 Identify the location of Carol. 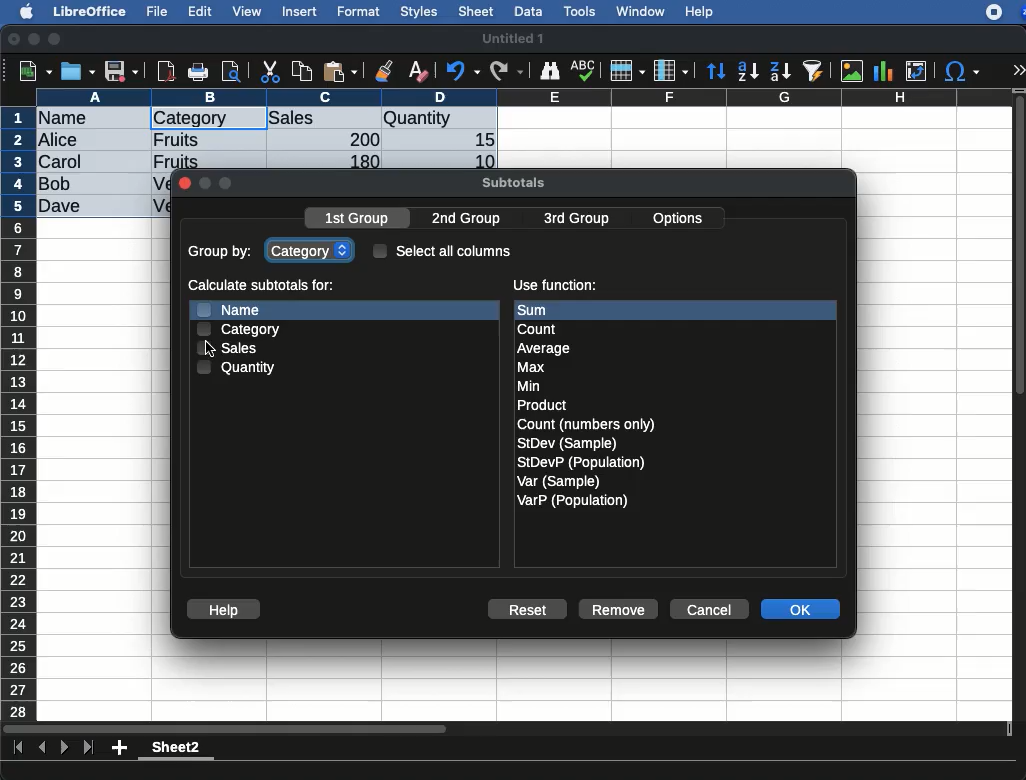
(77, 163).